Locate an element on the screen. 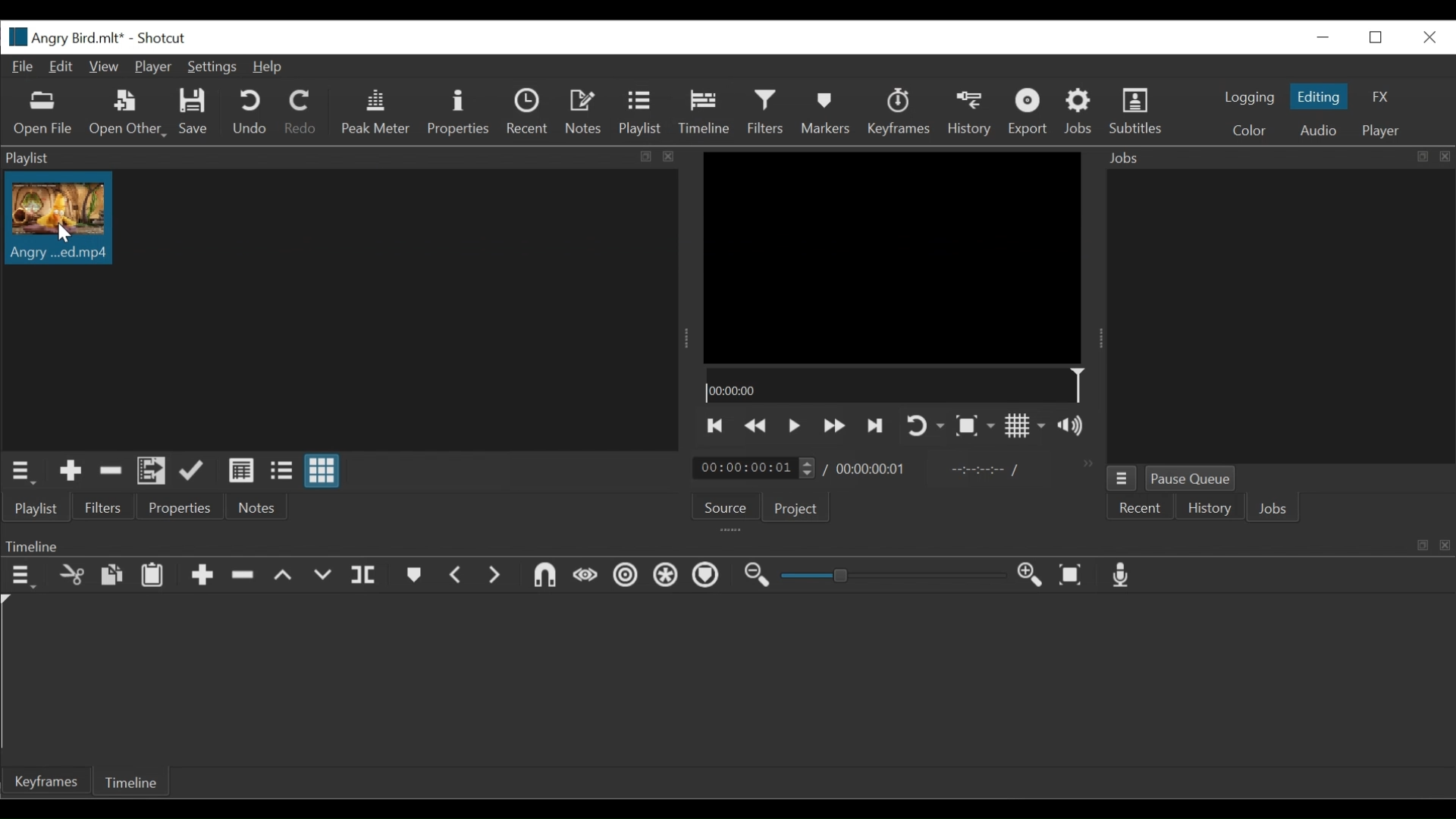 The height and width of the screenshot is (819, 1456). Zoom slider is located at coordinates (898, 575).